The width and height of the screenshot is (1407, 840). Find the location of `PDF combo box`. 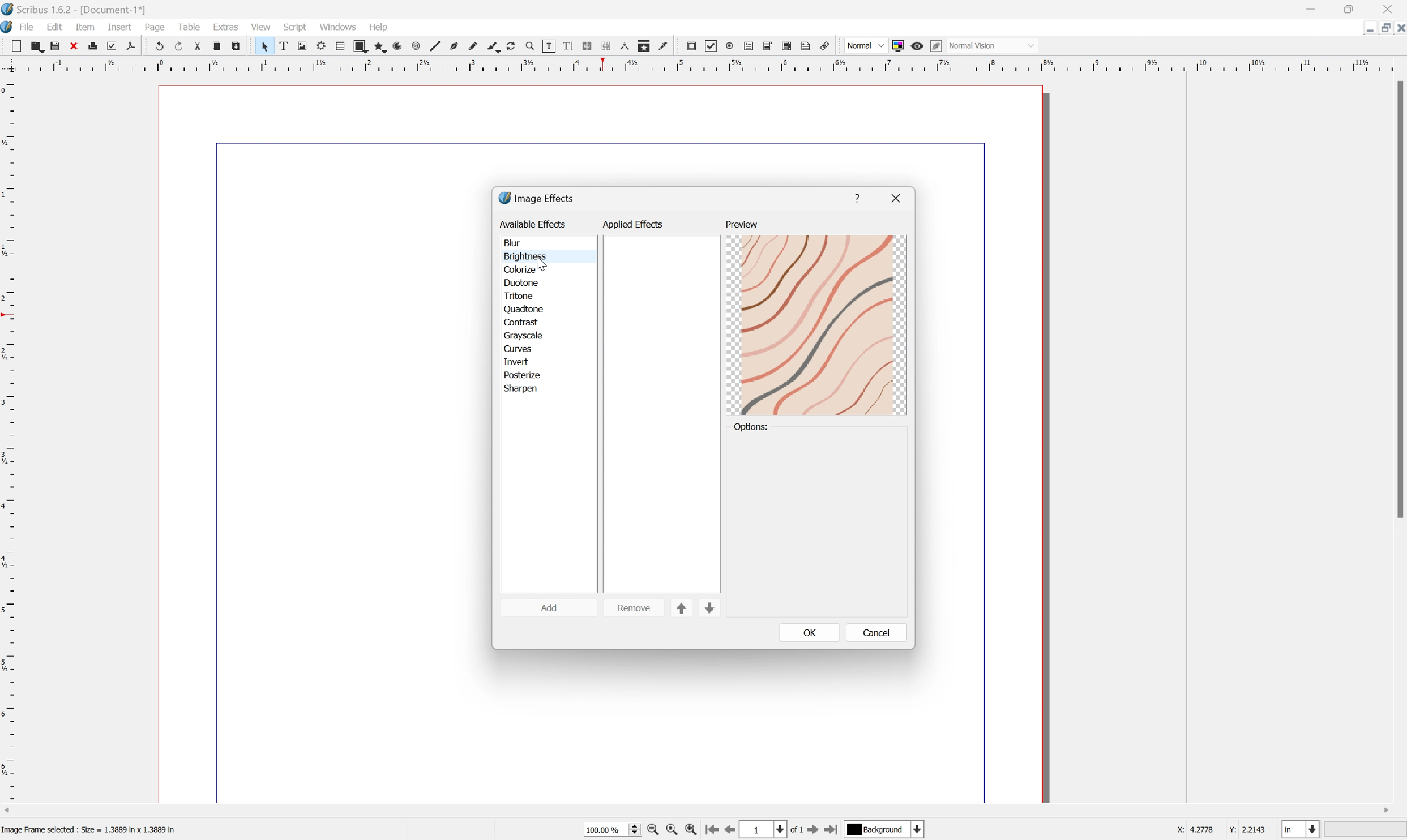

PDF combo box is located at coordinates (769, 47).